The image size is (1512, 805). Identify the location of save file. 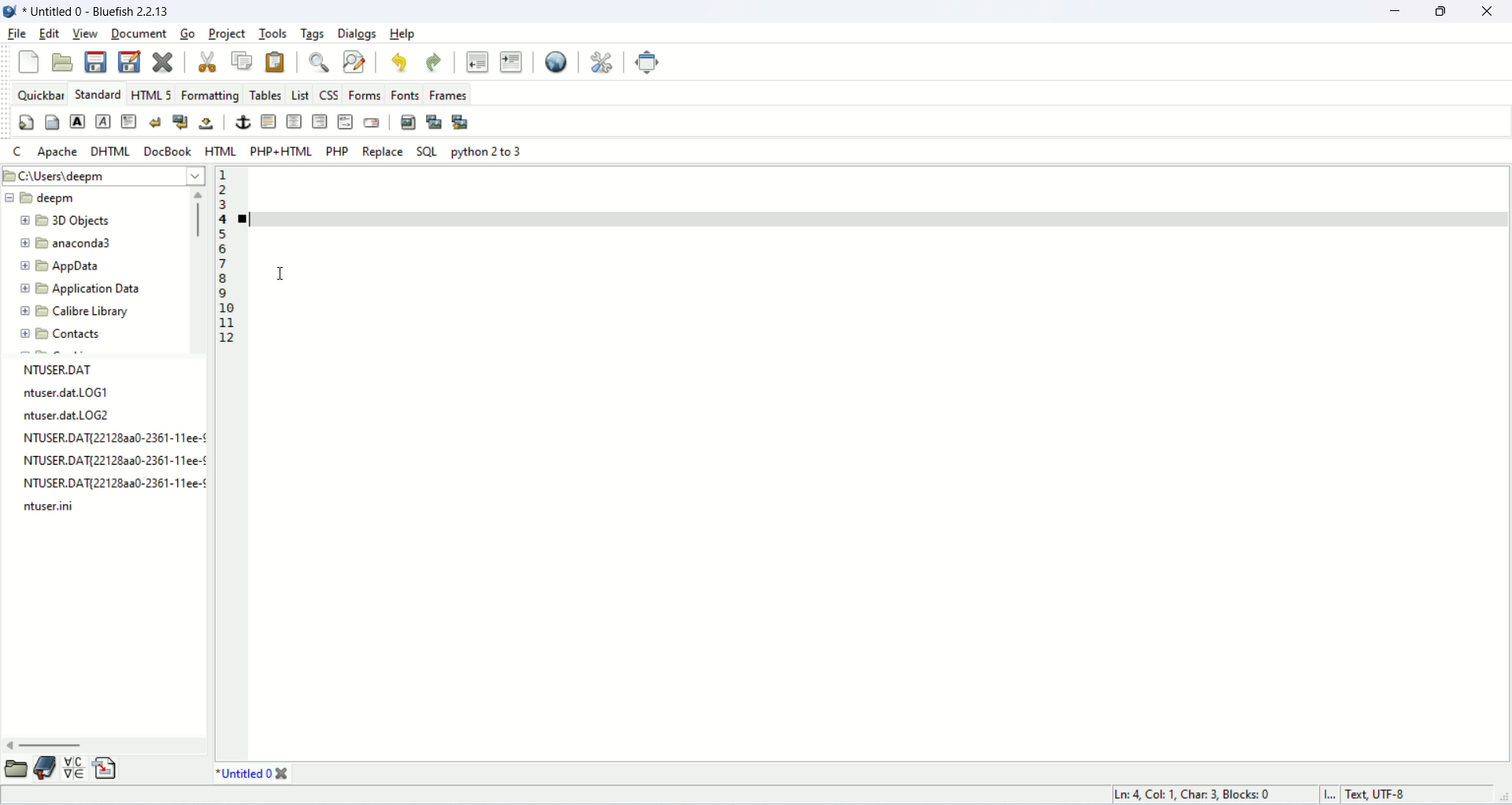
(96, 63).